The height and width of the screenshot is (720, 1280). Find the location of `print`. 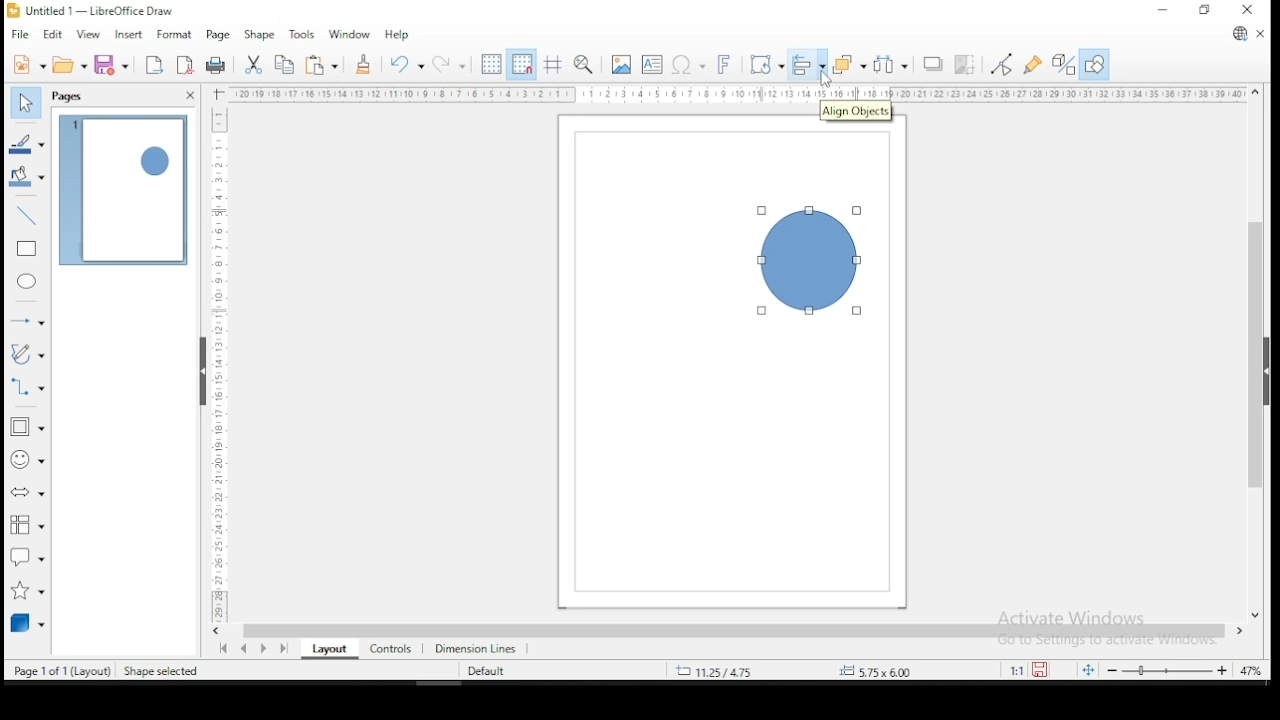

print is located at coordinates (217, 66).